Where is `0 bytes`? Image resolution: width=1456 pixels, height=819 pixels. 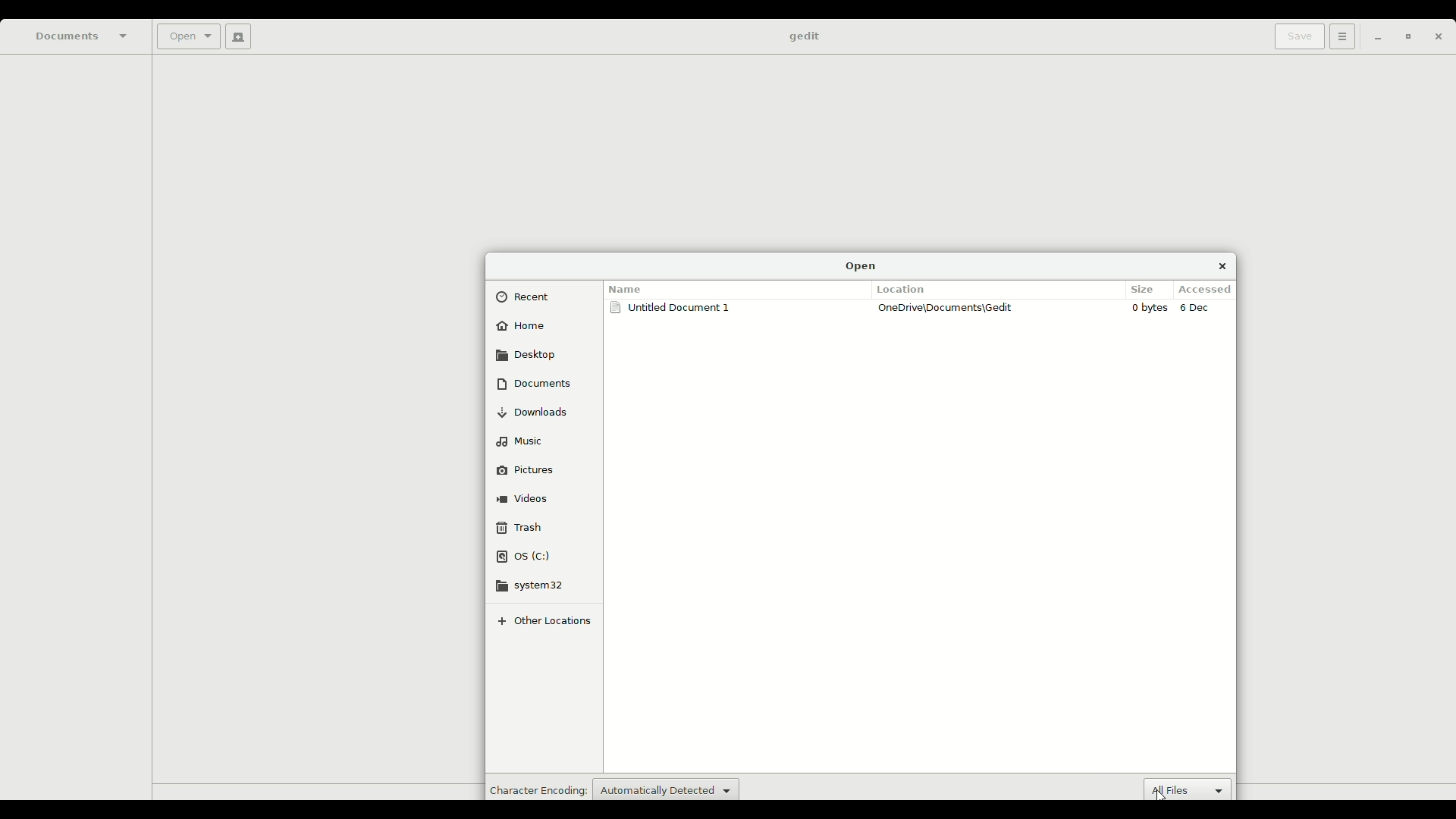
0 bytes is located at coordinates (1151, 308).